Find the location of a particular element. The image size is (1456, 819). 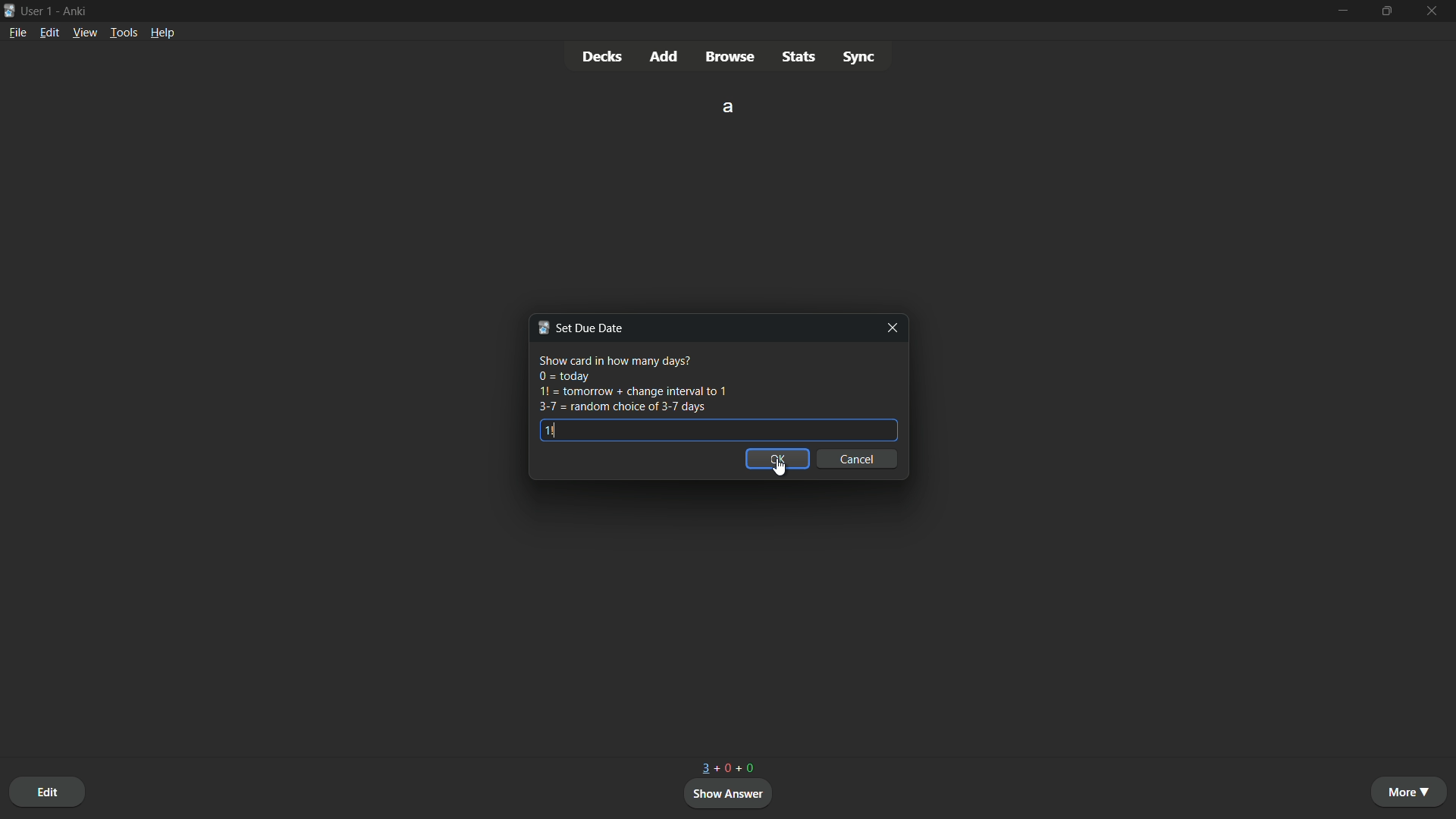

user 1 is located at coordinates (39, 11).